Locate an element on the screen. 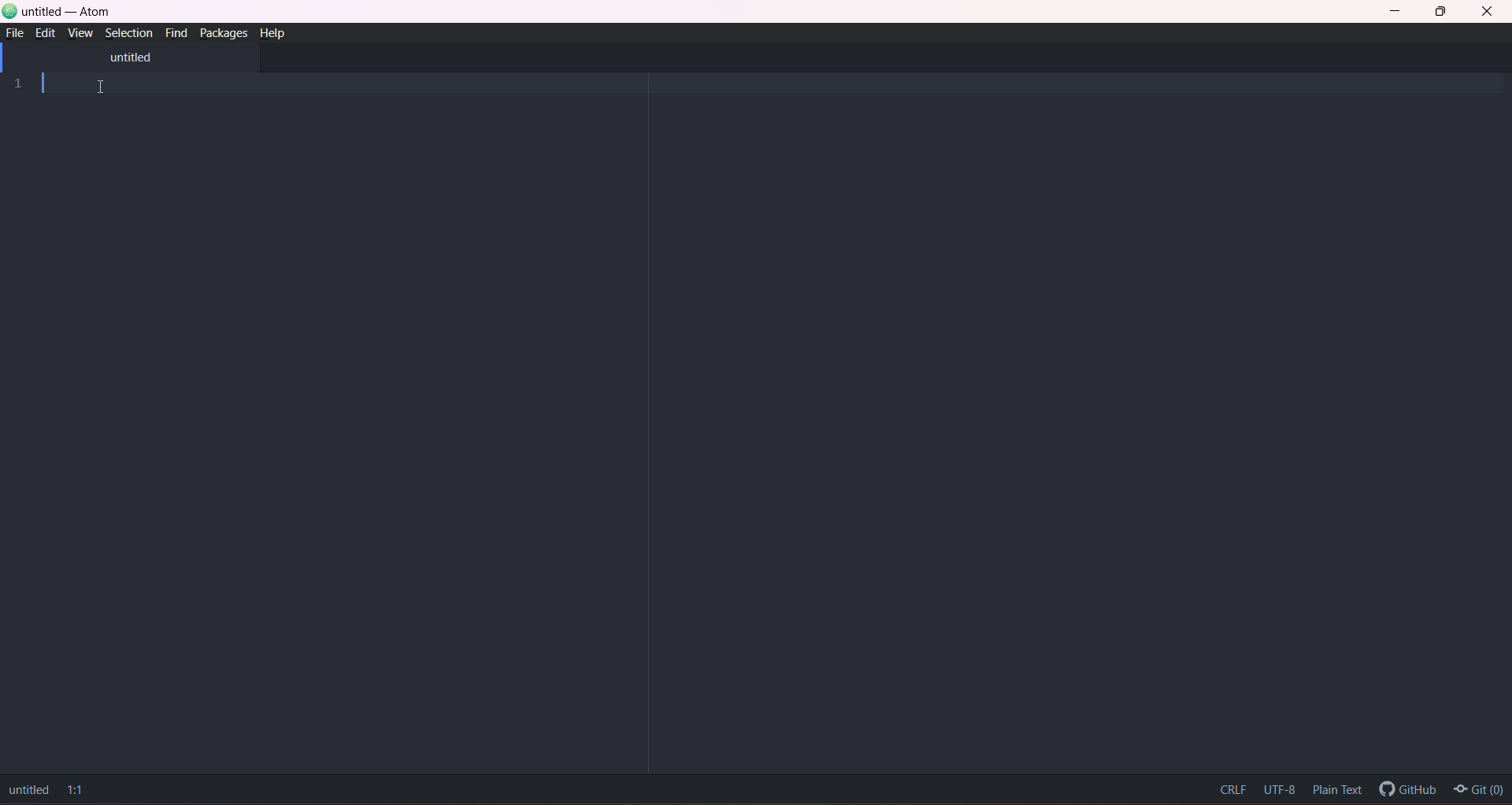 The height and width of the screenshot is (805, 1512). Minimize is located at coordinates (1402, 12).